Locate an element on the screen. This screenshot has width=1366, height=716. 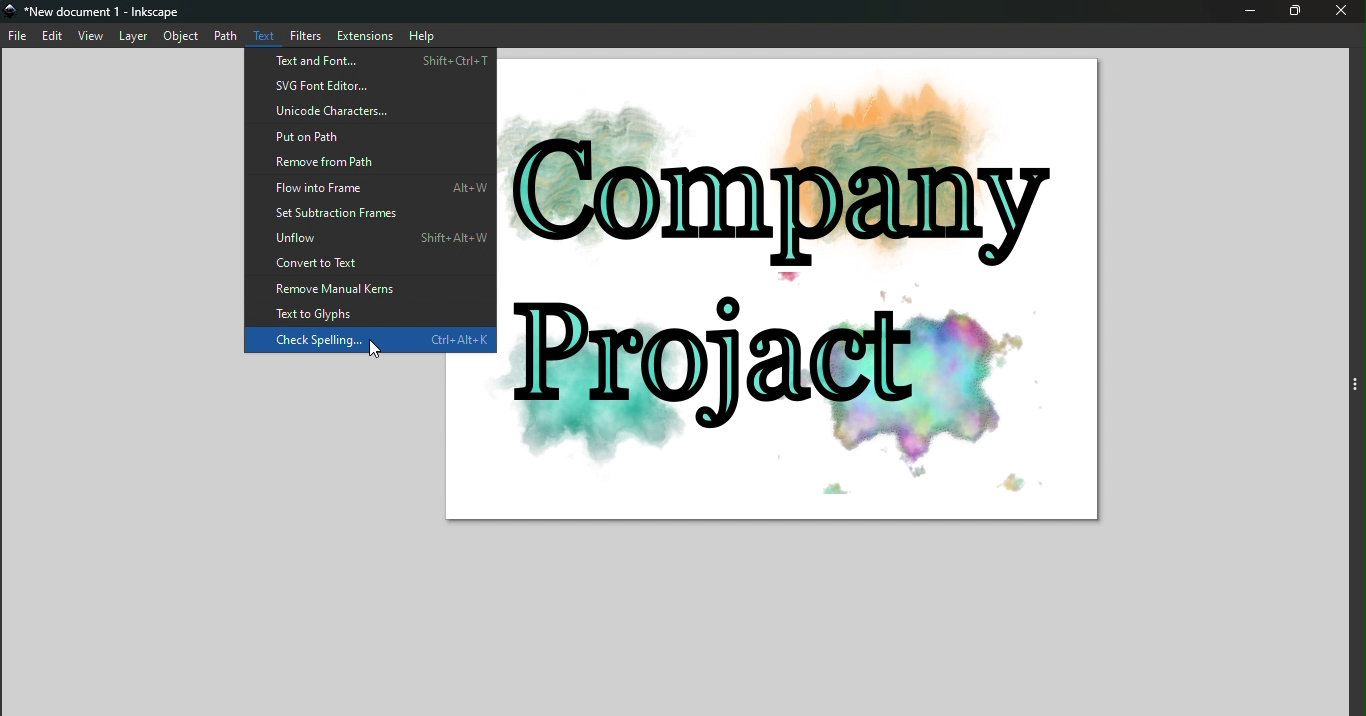
Maximize is located at coordinates (1298, 12).